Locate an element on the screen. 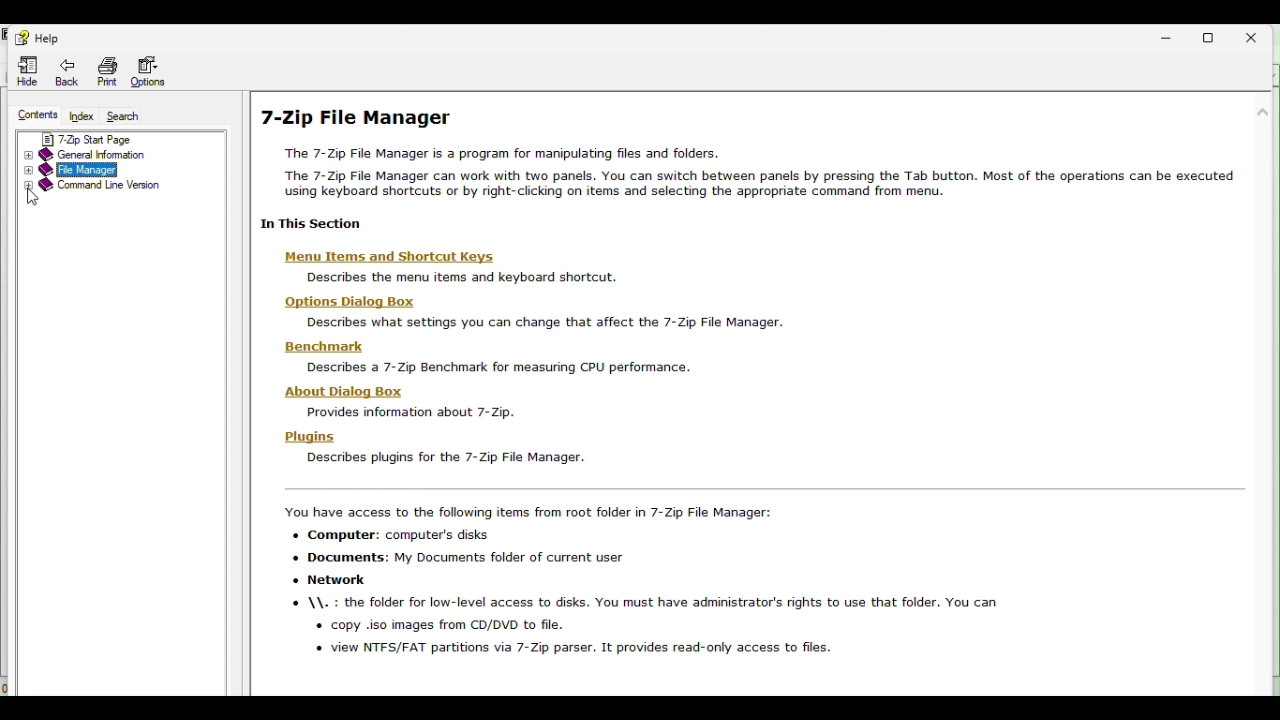  ‘About Dialog Box is located at coordinates (335, 389).